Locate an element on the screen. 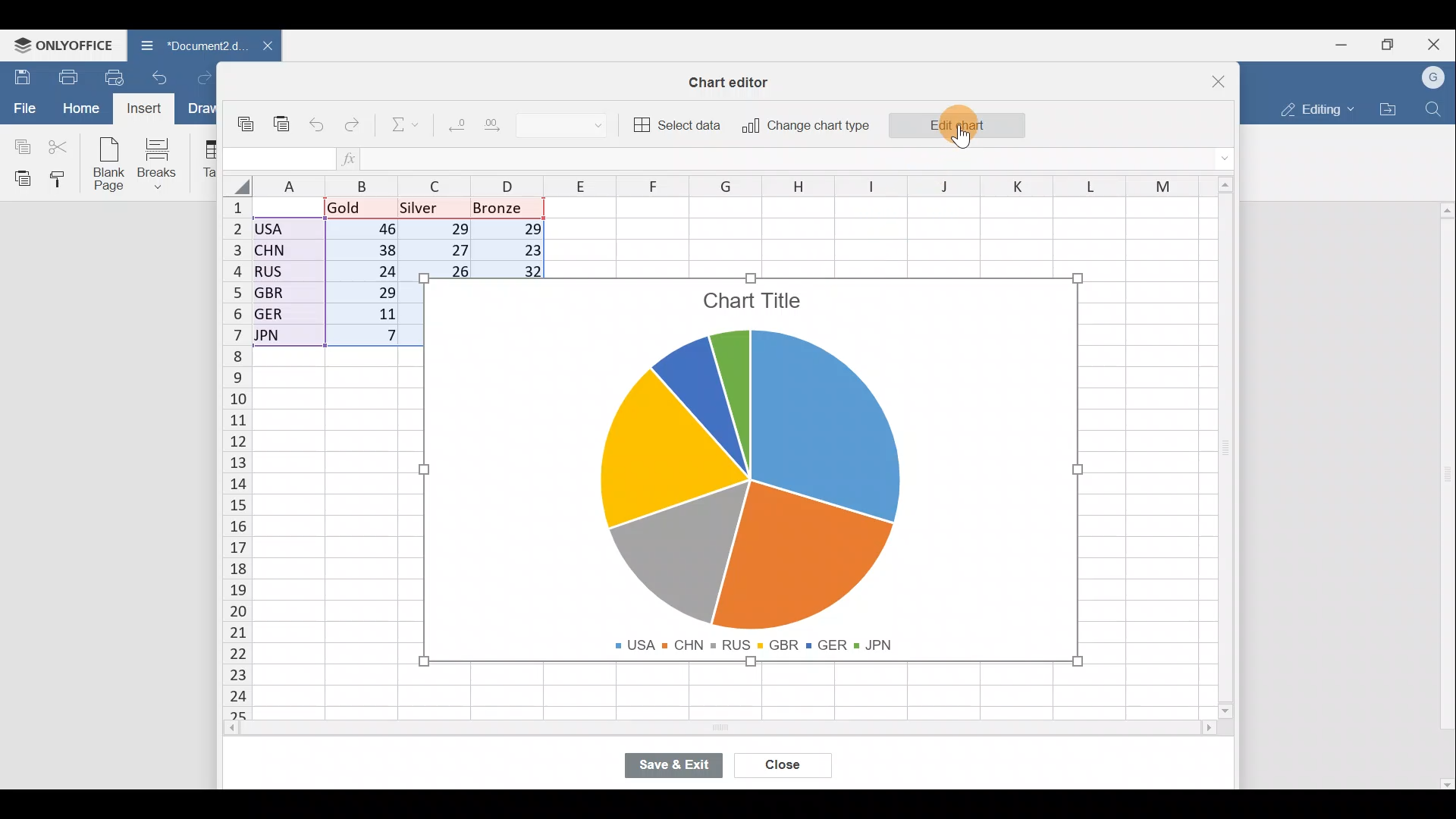 The width and height of the screenshot is (1456, 819). Cursor on Edit chart is located at coordinates (959, 119).